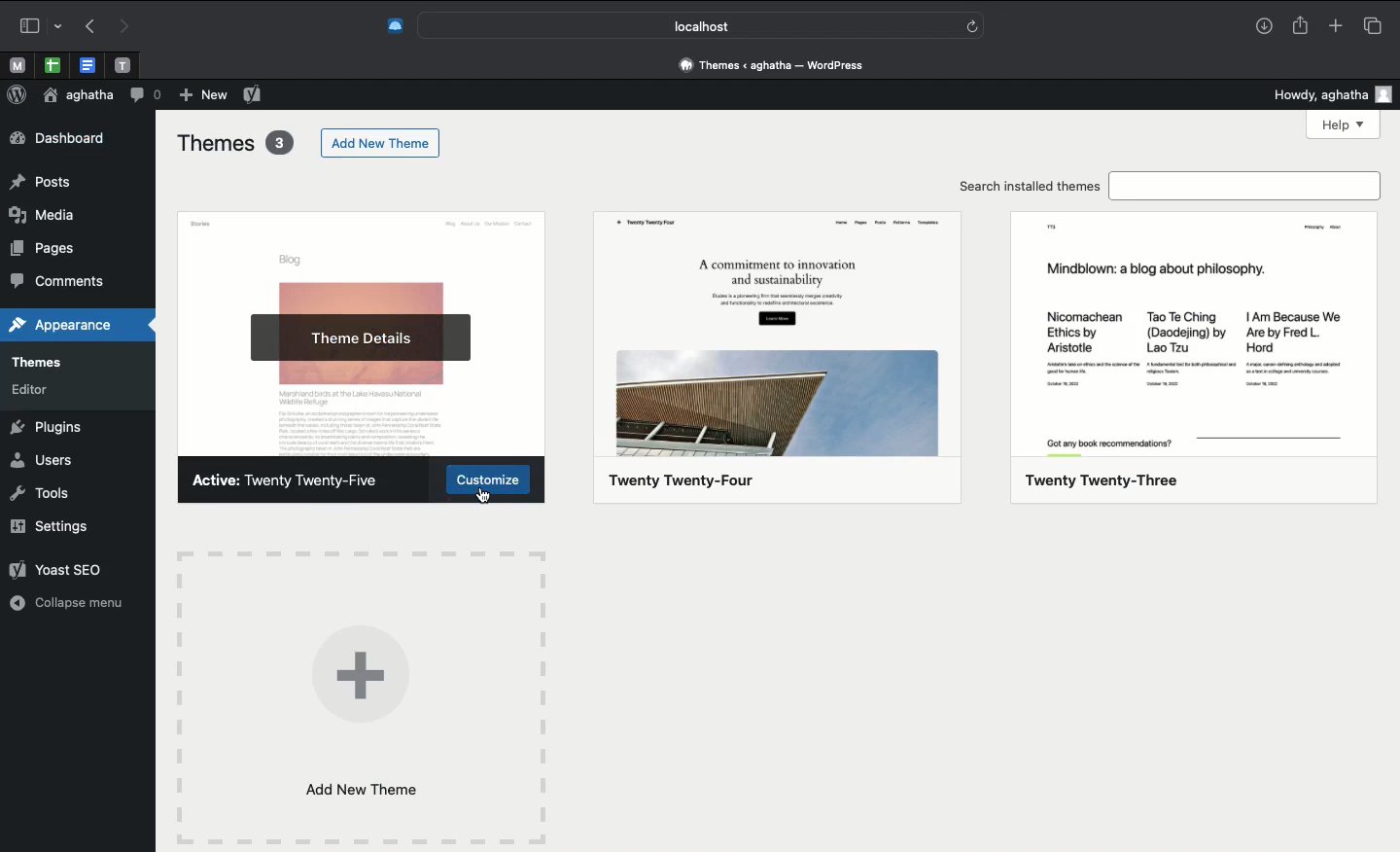 The image size is (1400, 852). What do you see at coordinates (43, 179) in the screenshot?
I see `posts` at bounding box center [43, 179].